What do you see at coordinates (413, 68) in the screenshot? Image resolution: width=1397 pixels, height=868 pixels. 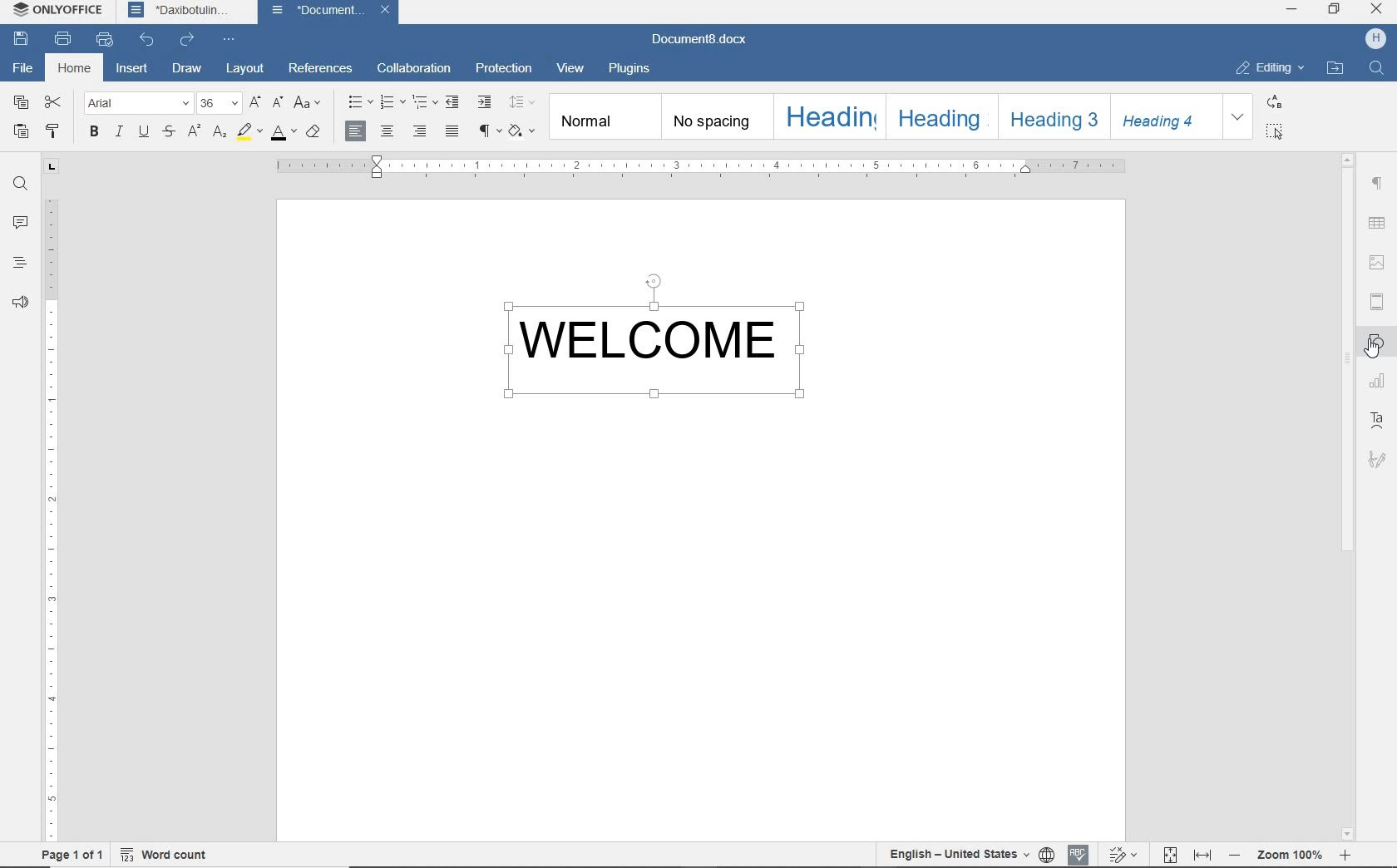 I see `COLLABORATION` at bounding box center [413, 68].